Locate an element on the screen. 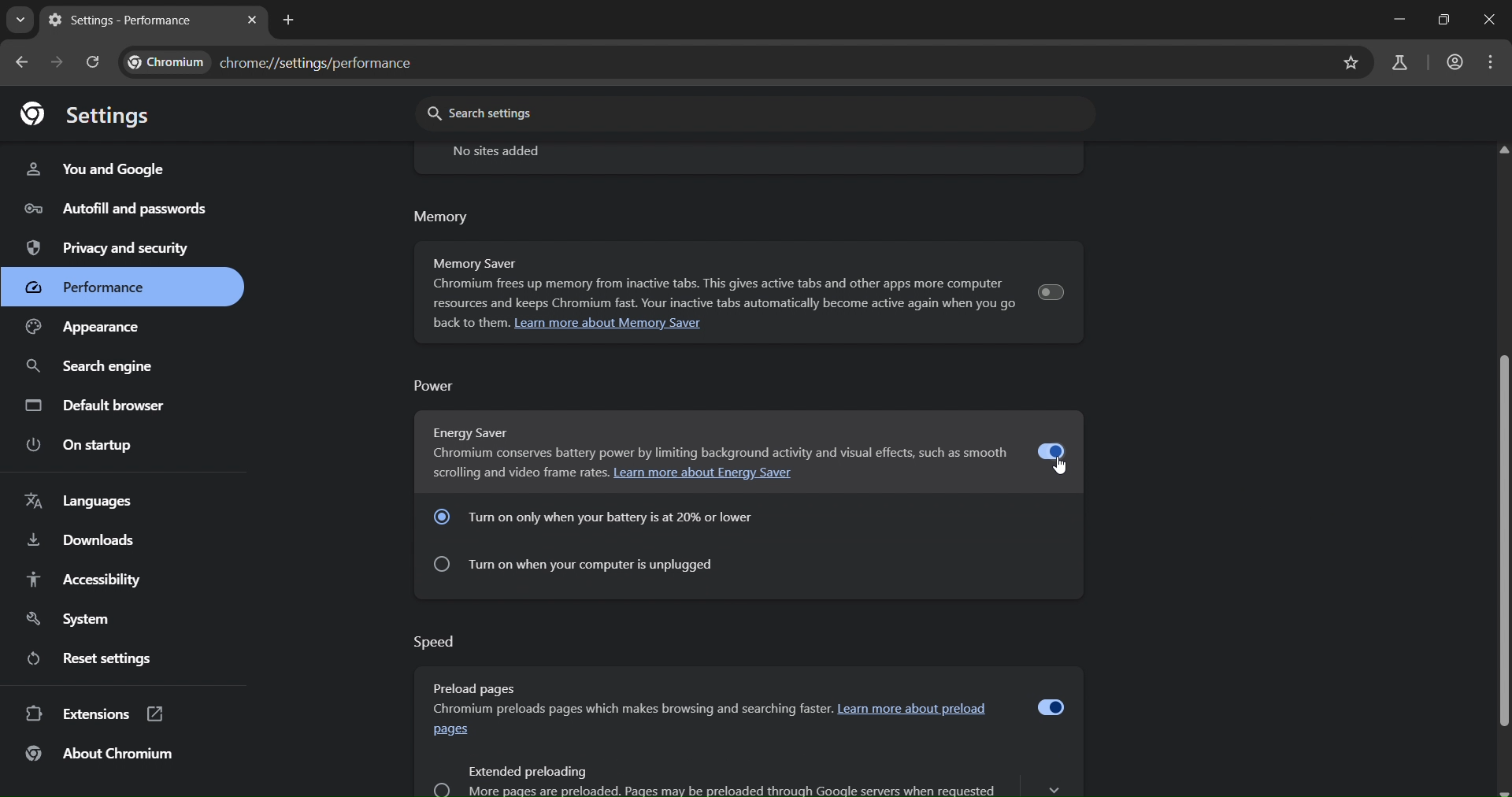  extended preloading is located at coordinates (528, 771).